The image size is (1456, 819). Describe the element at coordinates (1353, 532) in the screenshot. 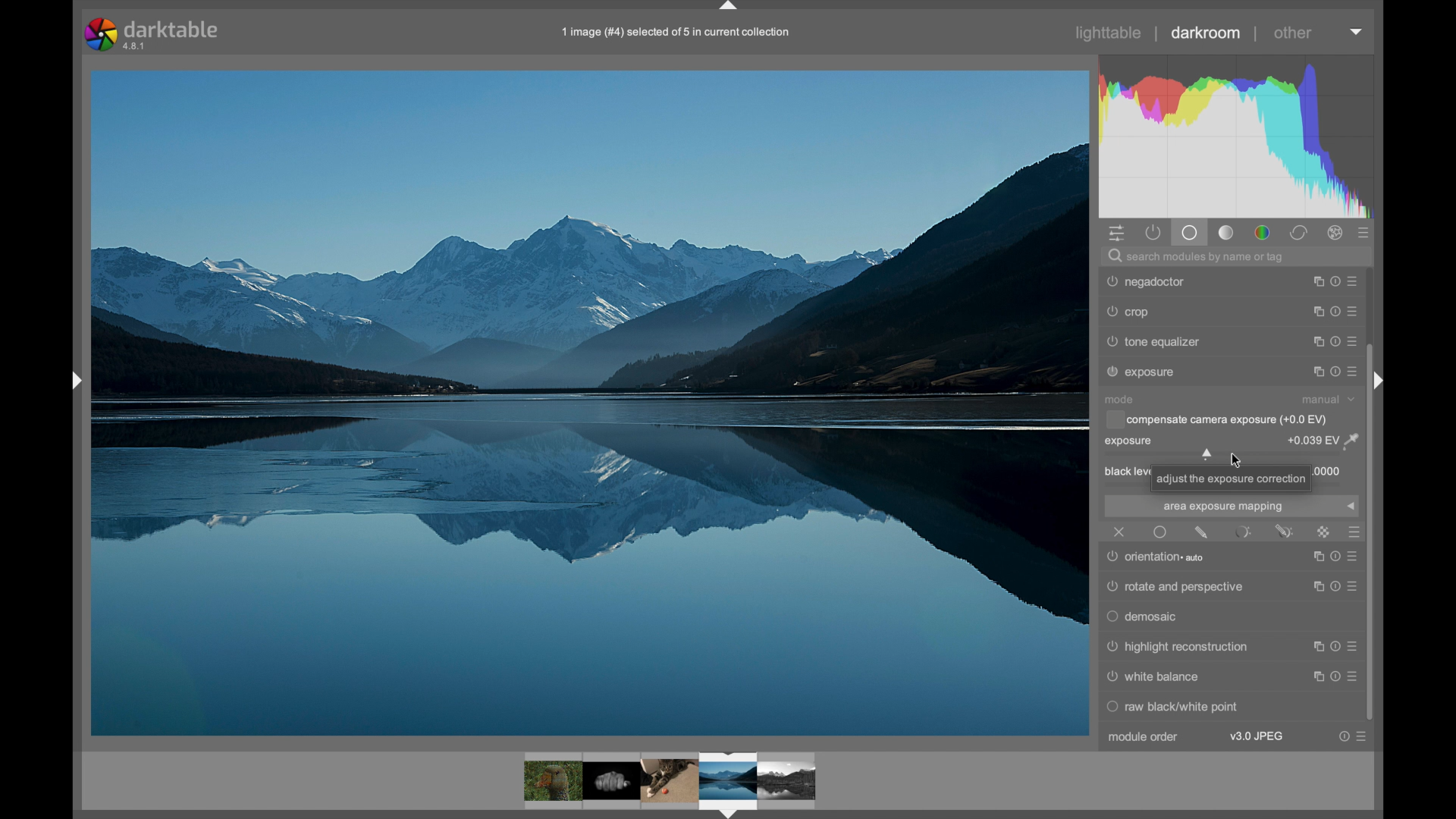

I see `presets` at that location.